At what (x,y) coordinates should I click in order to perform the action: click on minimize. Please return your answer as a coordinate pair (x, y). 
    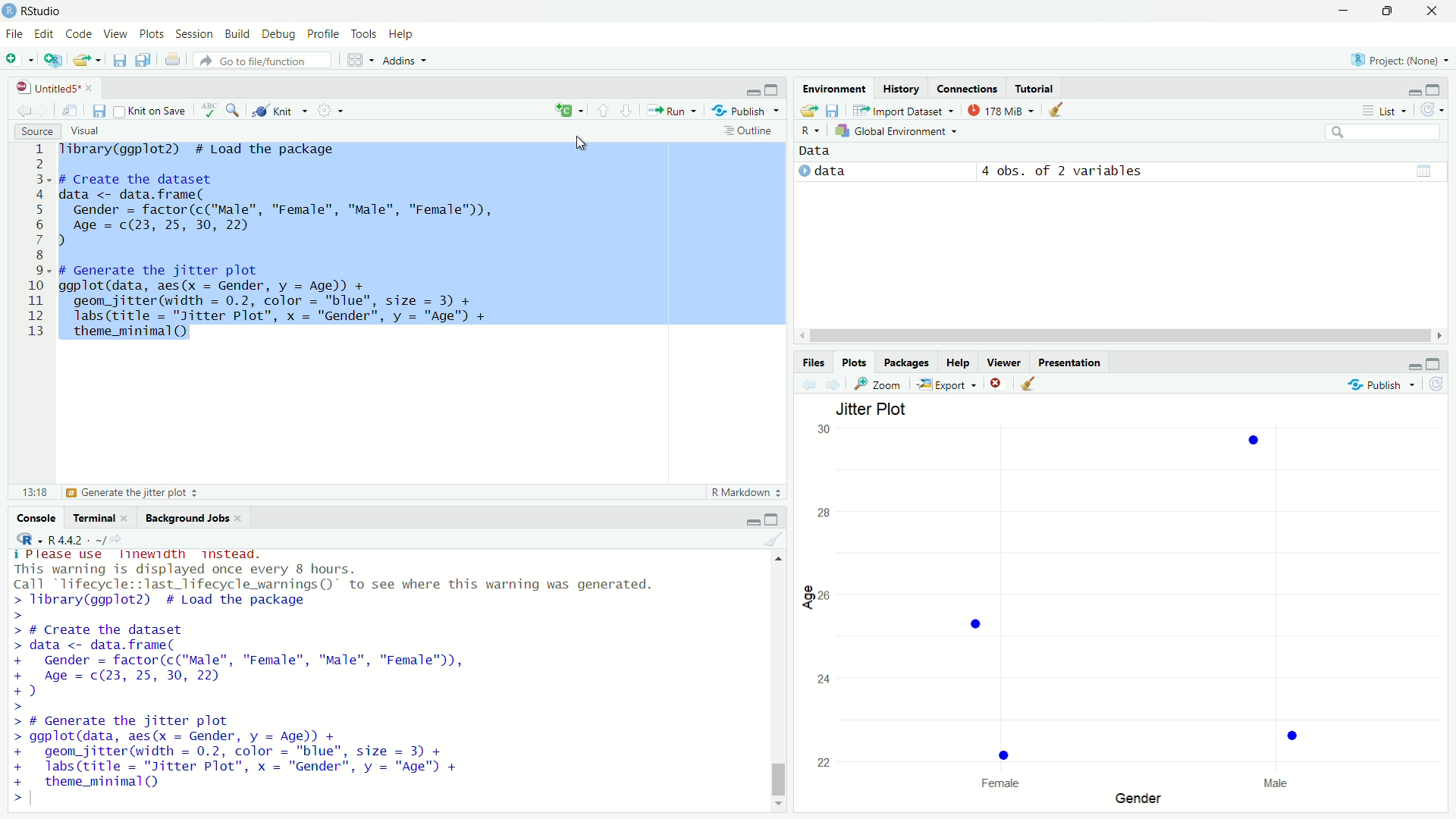
    Looking at the image, I should click on (1408, 364).